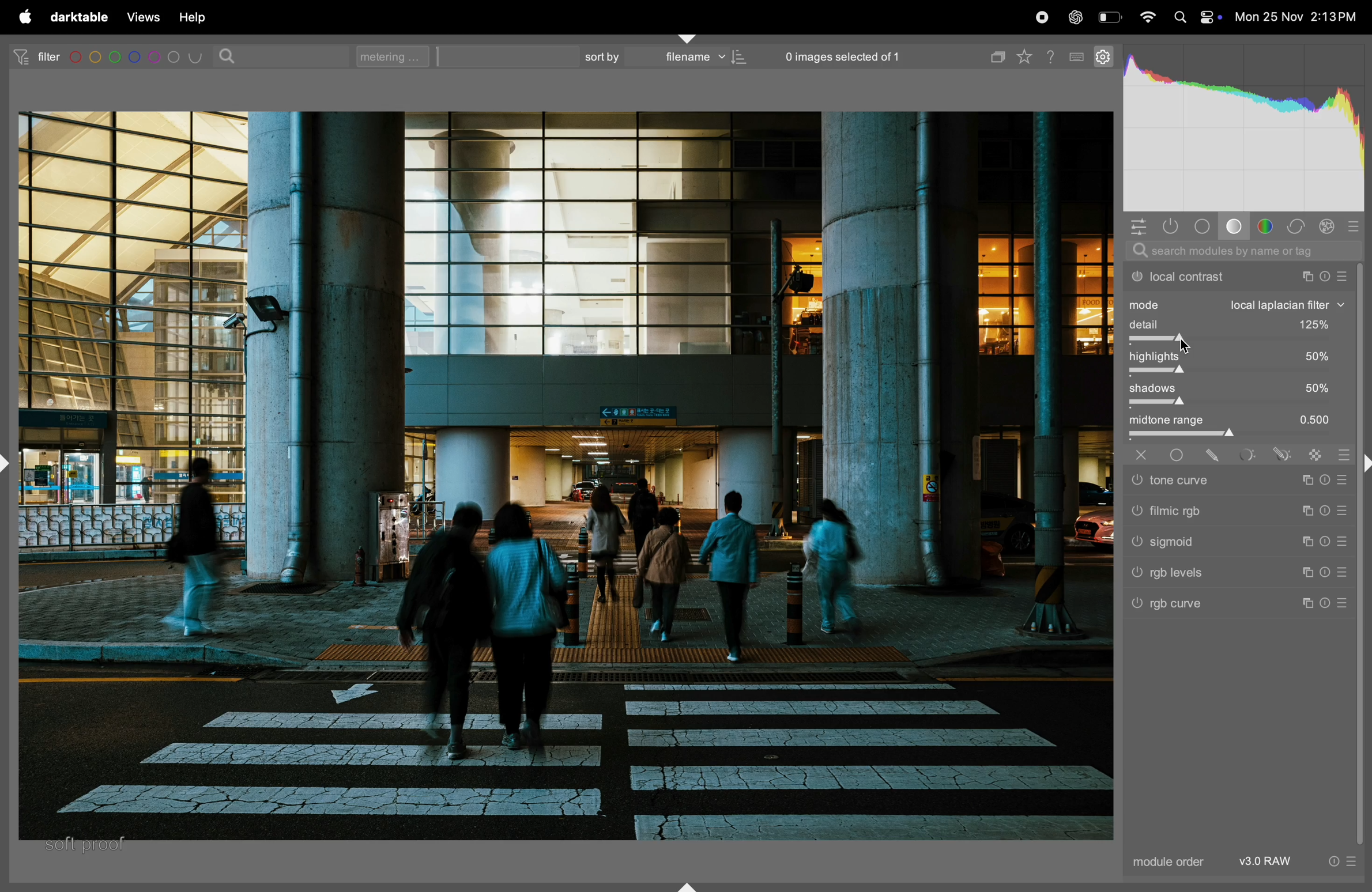 The width and height of the screenshot is (1372, 892). I want to click on base, so click(1234, 226).